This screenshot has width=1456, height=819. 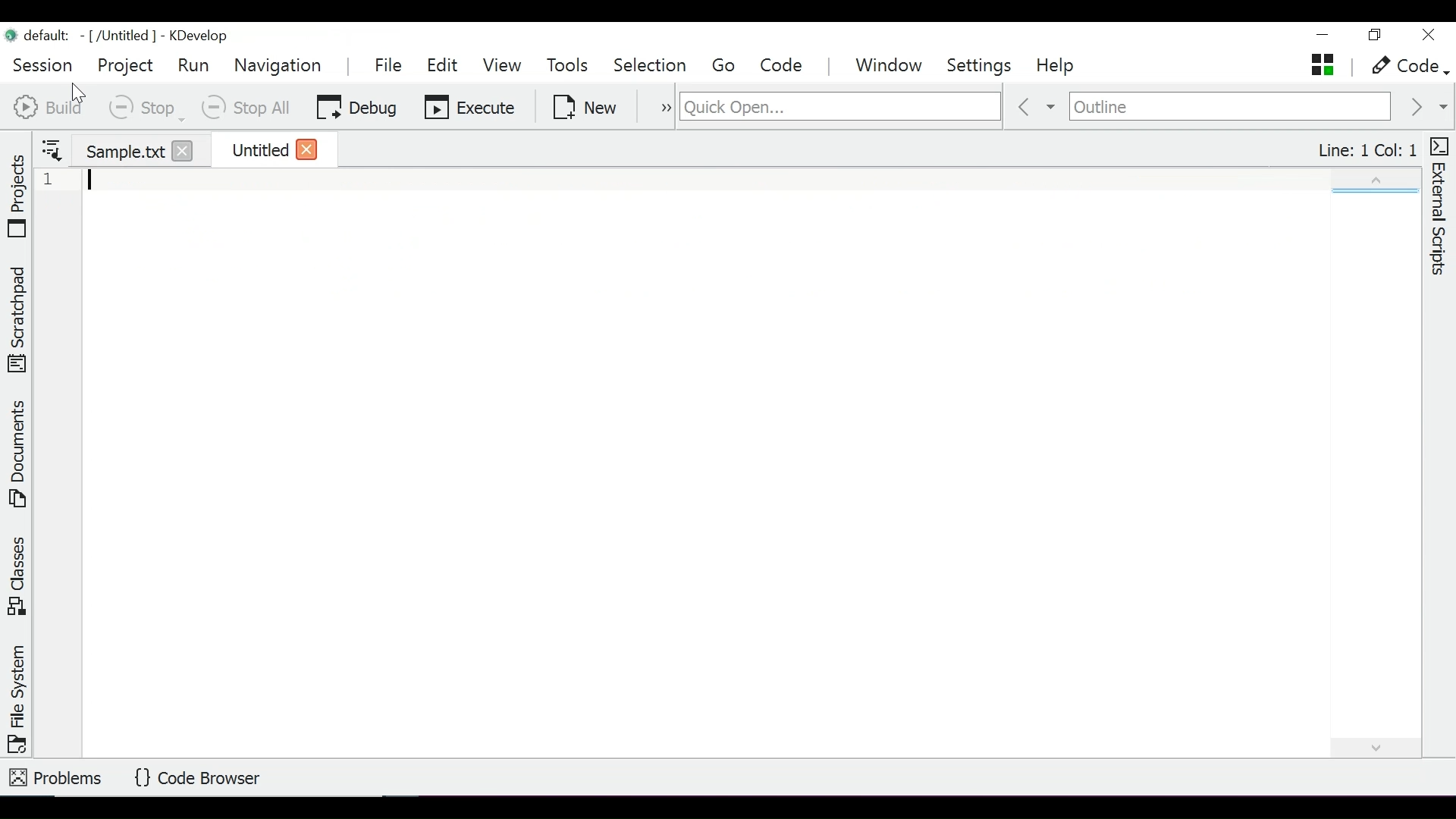 I want to click on Toggle External Scripts tool View, so click(x=1439, y=209).